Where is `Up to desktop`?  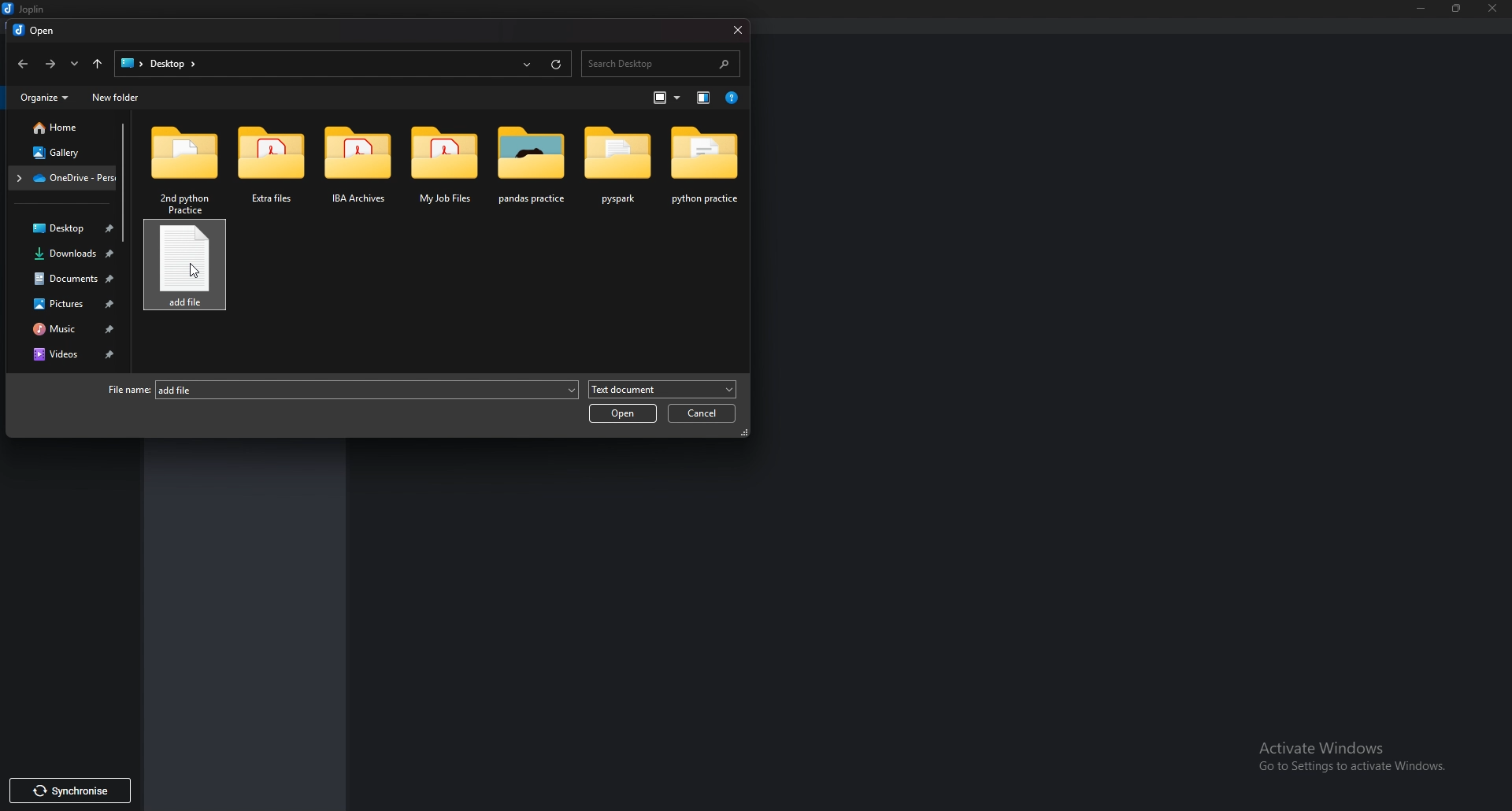
Up to desktop is located at coordinates (98, 63).